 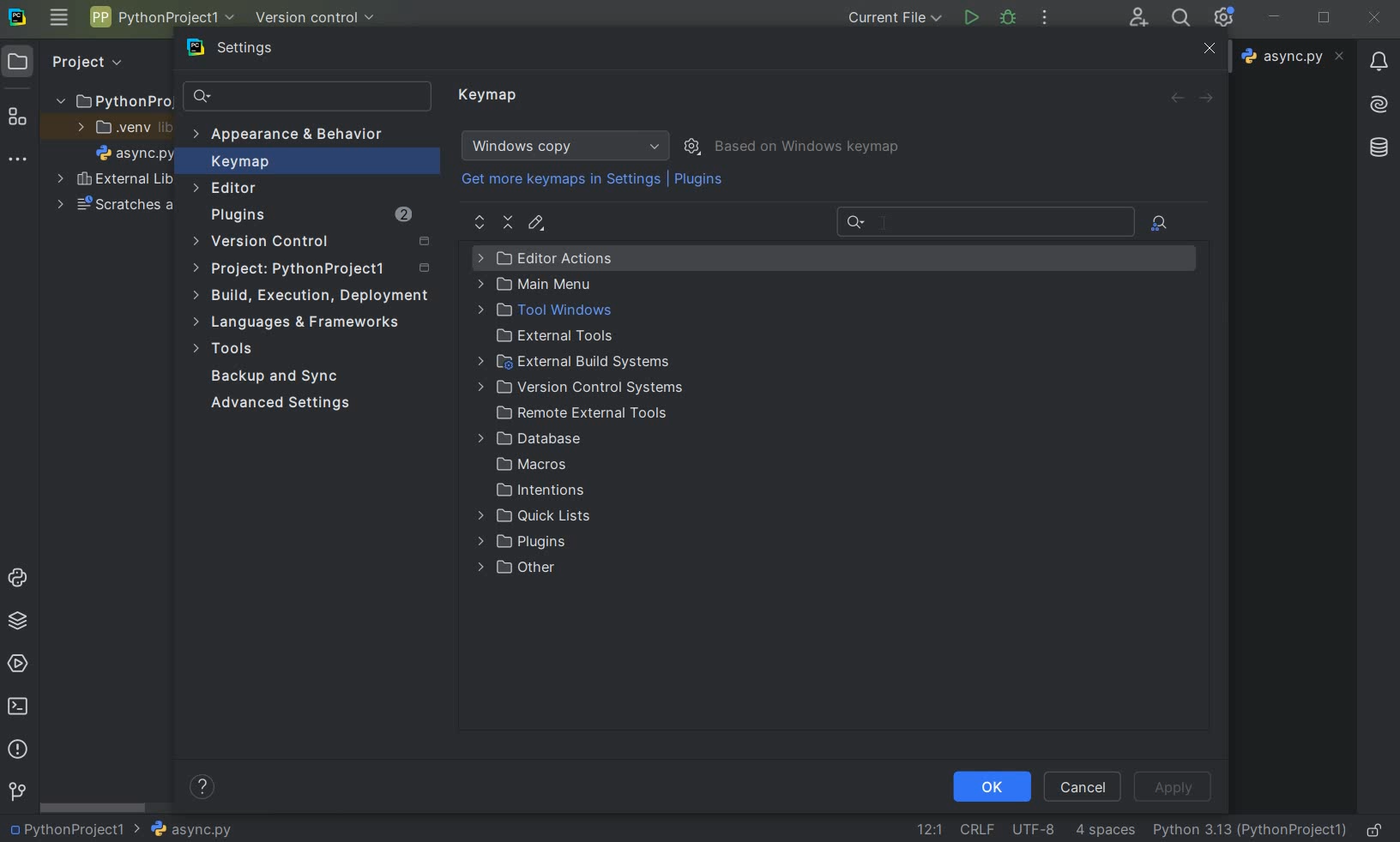 I want to click on collapse all, so click(x=509, y=223).